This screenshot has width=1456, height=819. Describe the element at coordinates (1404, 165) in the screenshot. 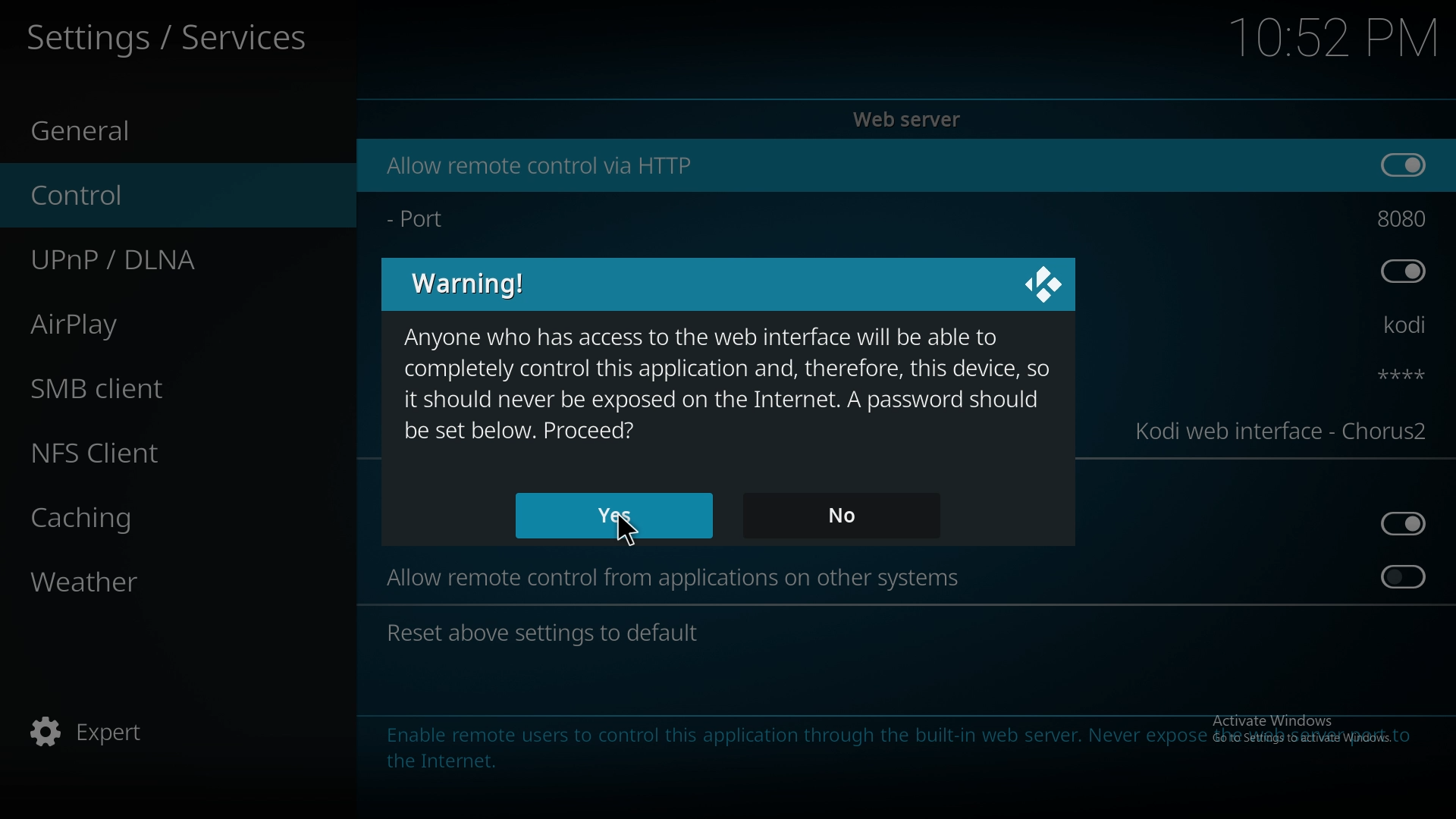

I see `toggle` at that location.